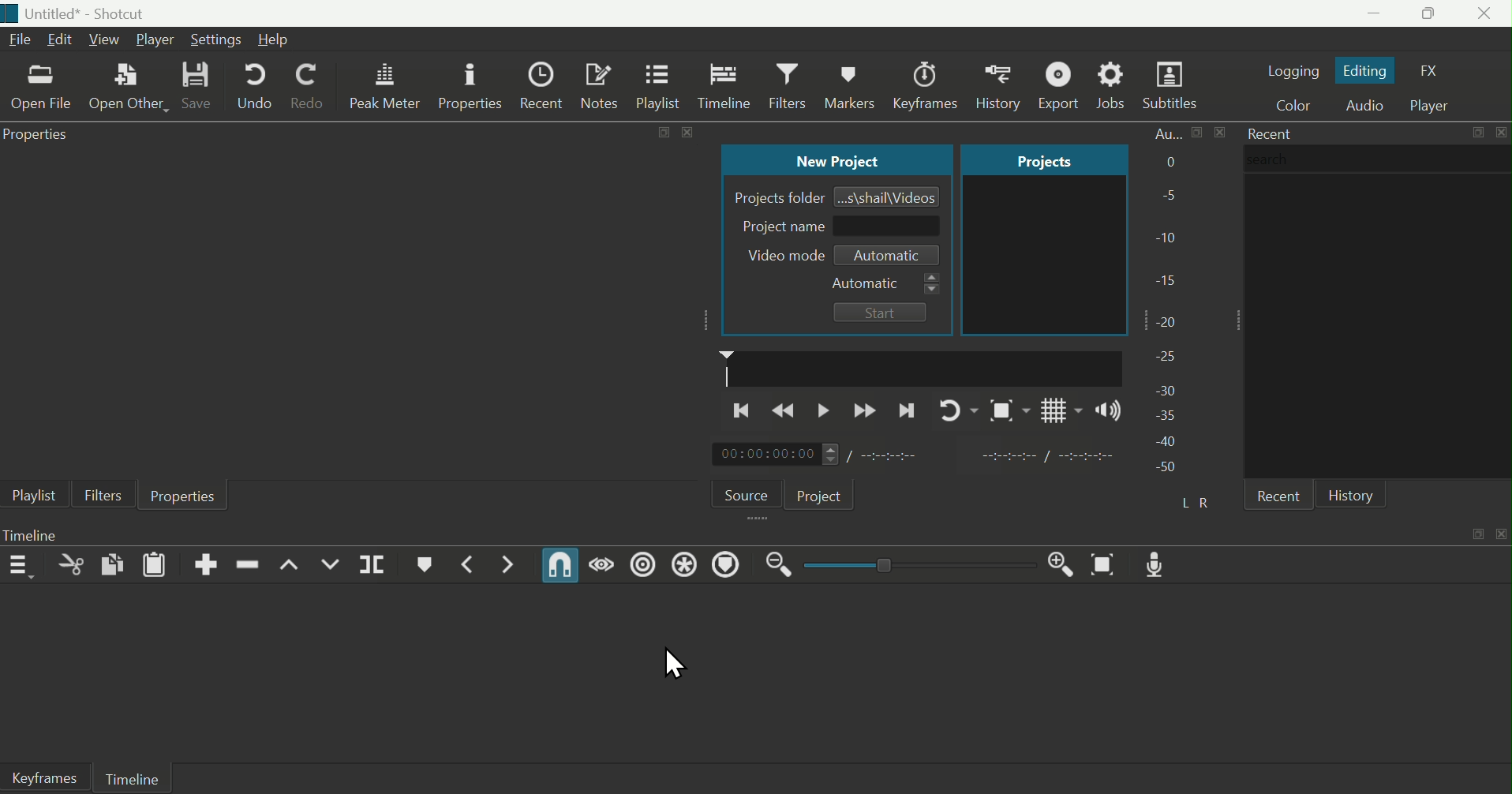  Describe the element at coordinates (155, 39) in the screenshot. I see `Player` at that location.